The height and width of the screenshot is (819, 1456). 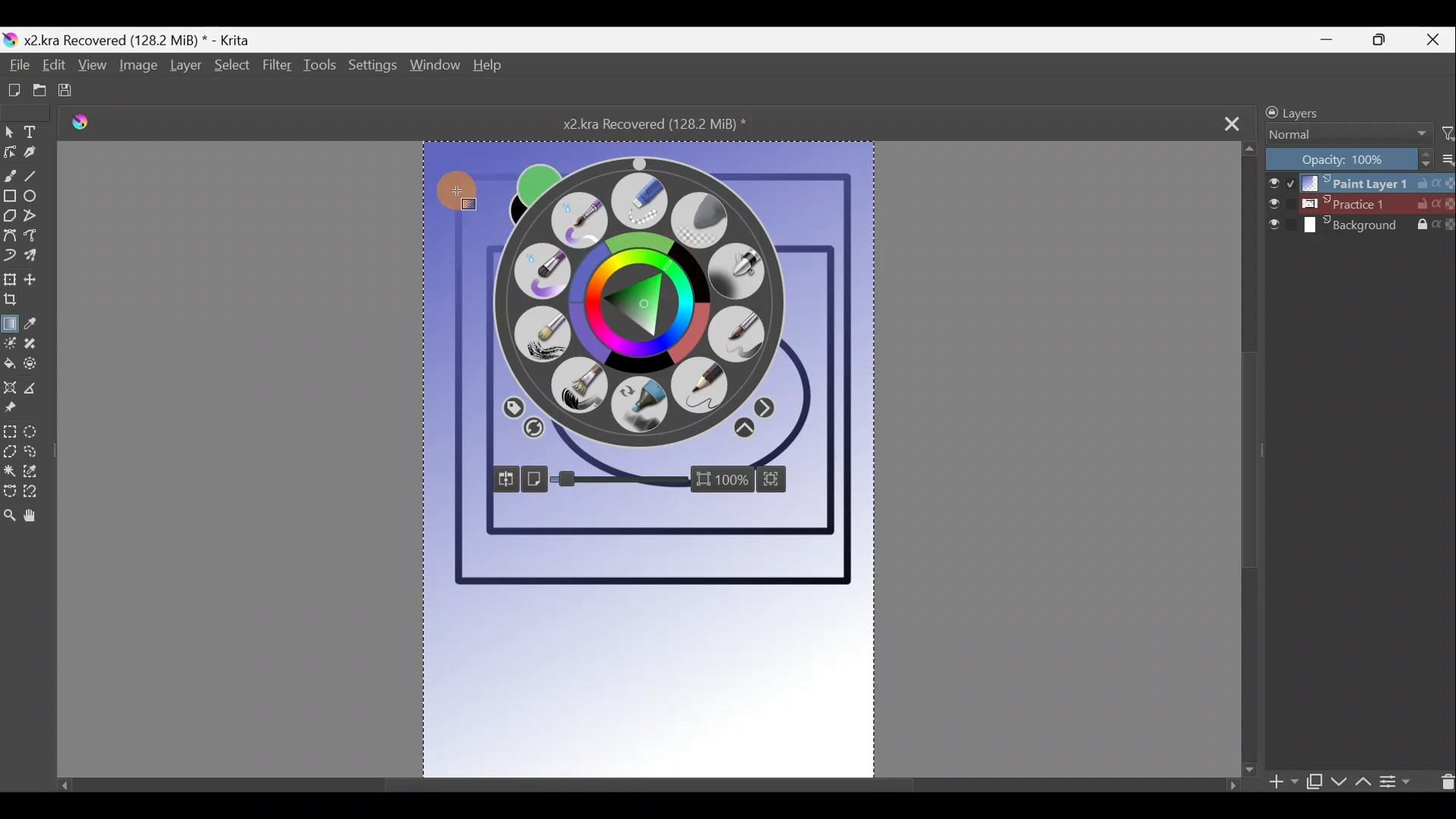 What do you see at coordinates (9, 366) in the screenshot?
I see `Fill a contiguous area of colour with colour/fill a selection` at bounding box center [9, 366].